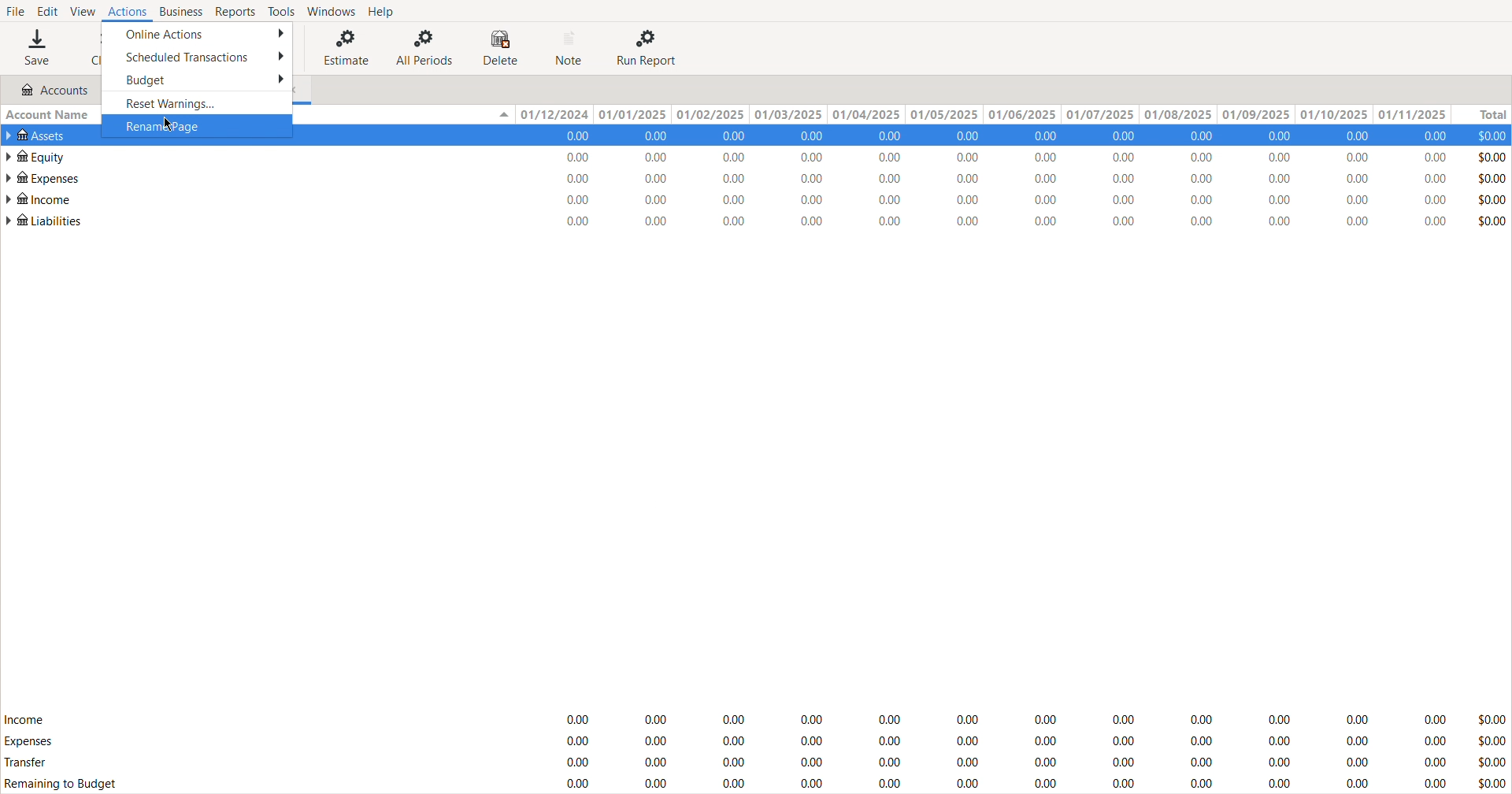 The image size is (1512, 794). Describe the element at coordinates (197, 54) in the screenshot. I see `scheduled Transactions` at that location.